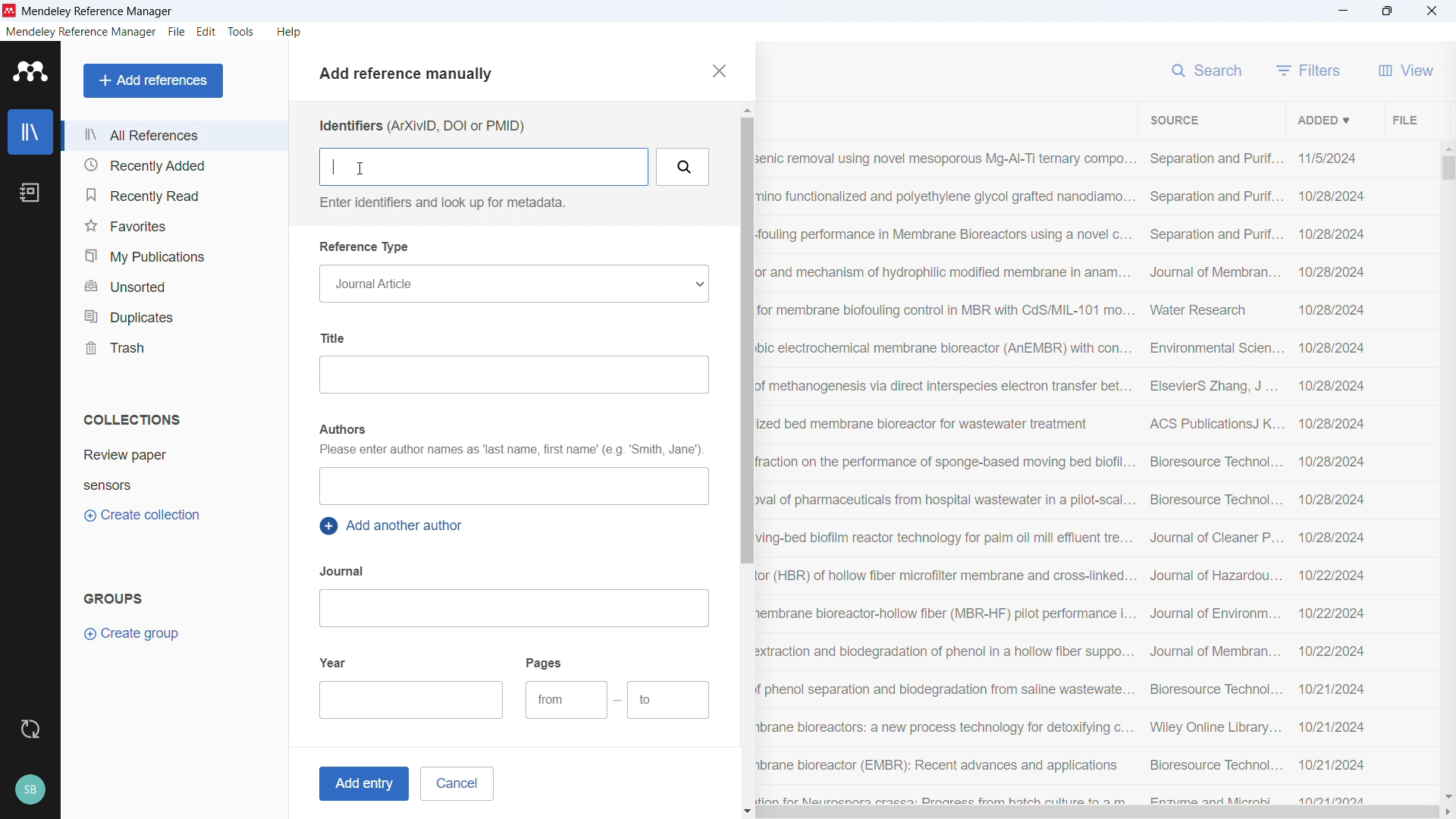  I want to click on minimise , so click(1344, 11).